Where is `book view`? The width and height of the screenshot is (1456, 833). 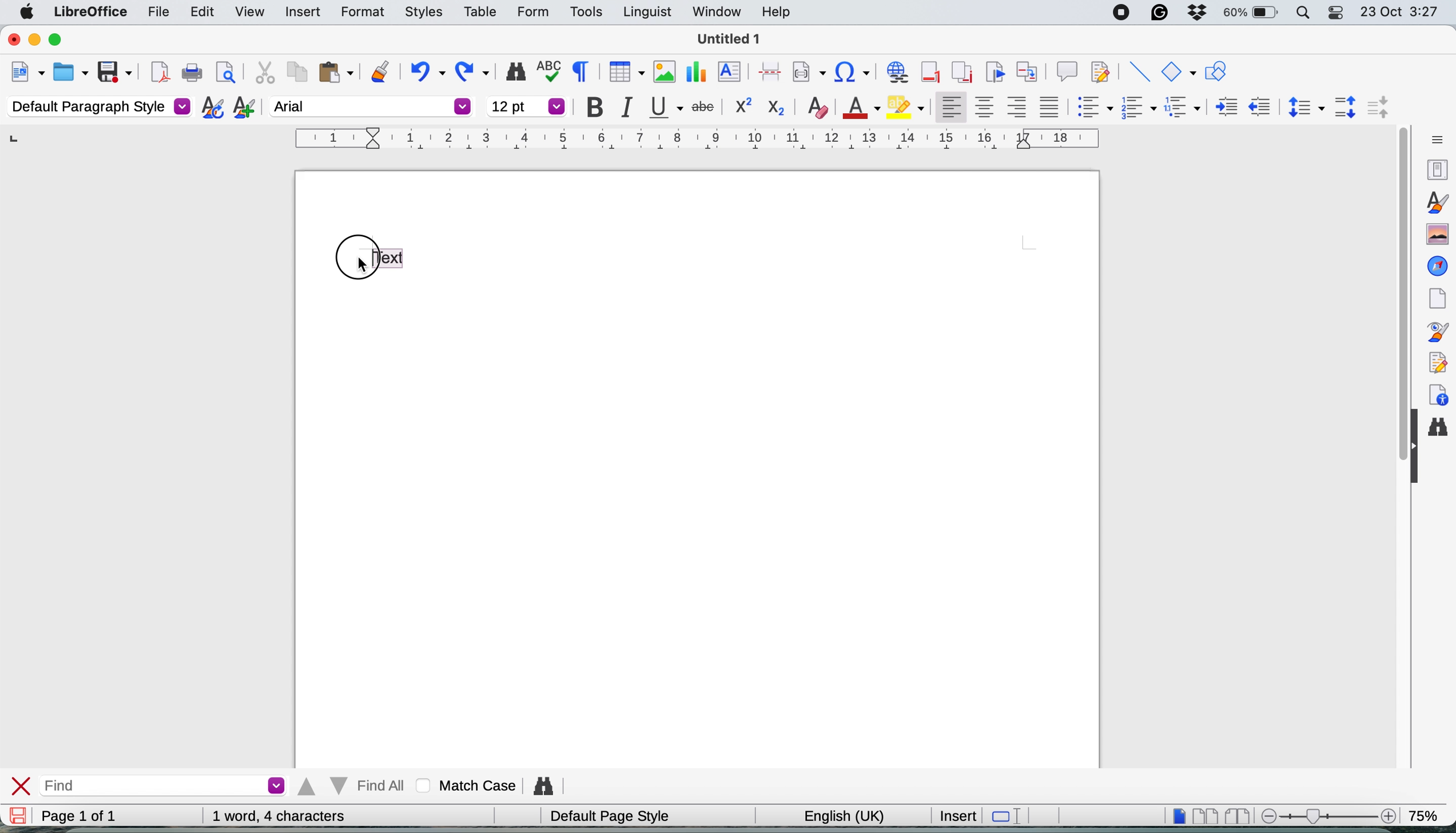
book view is located at coordinates (1235, 815).